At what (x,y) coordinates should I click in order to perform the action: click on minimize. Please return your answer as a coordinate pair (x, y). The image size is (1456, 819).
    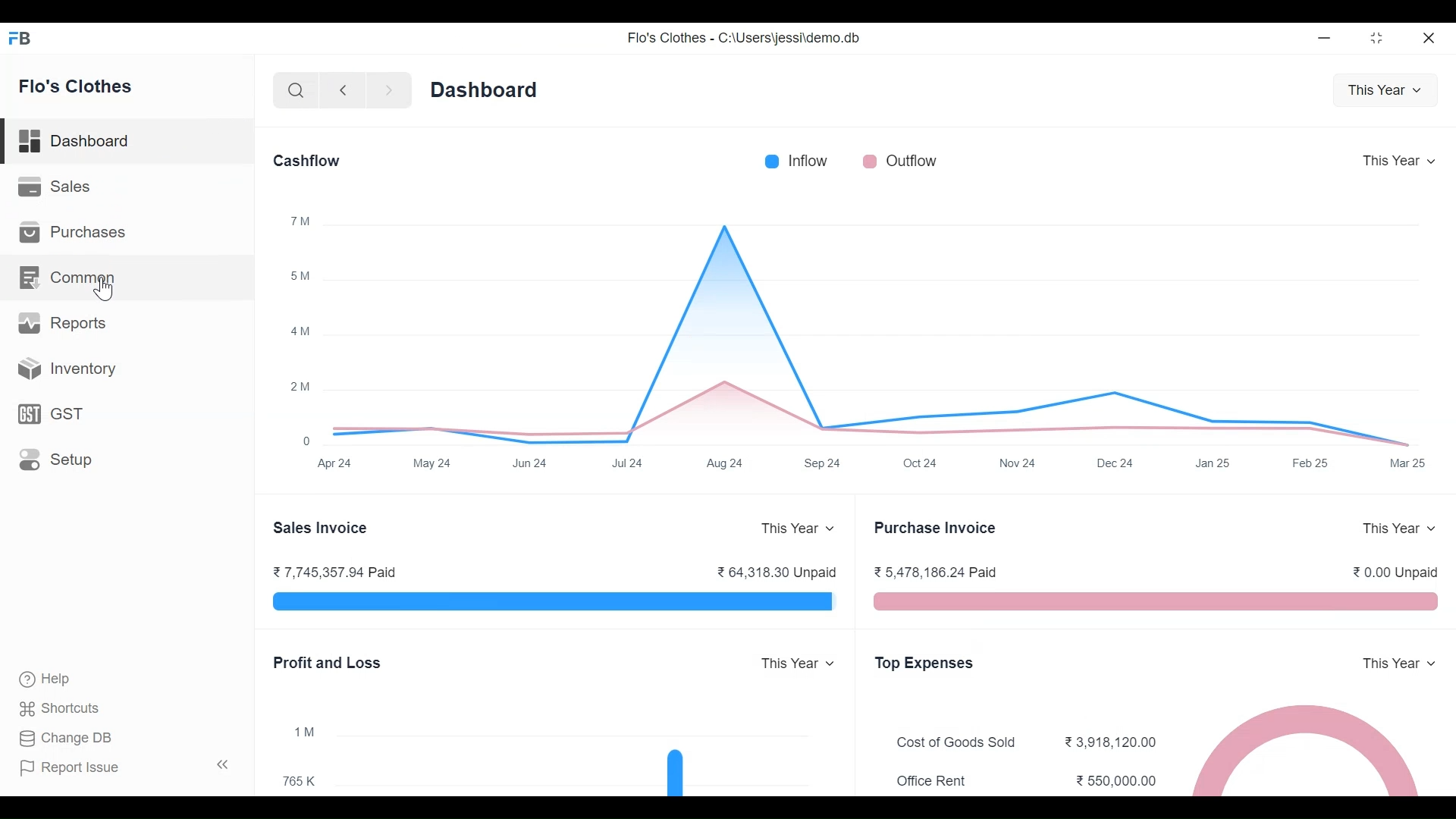
    Looking at the image, I should click on (1327, 39).